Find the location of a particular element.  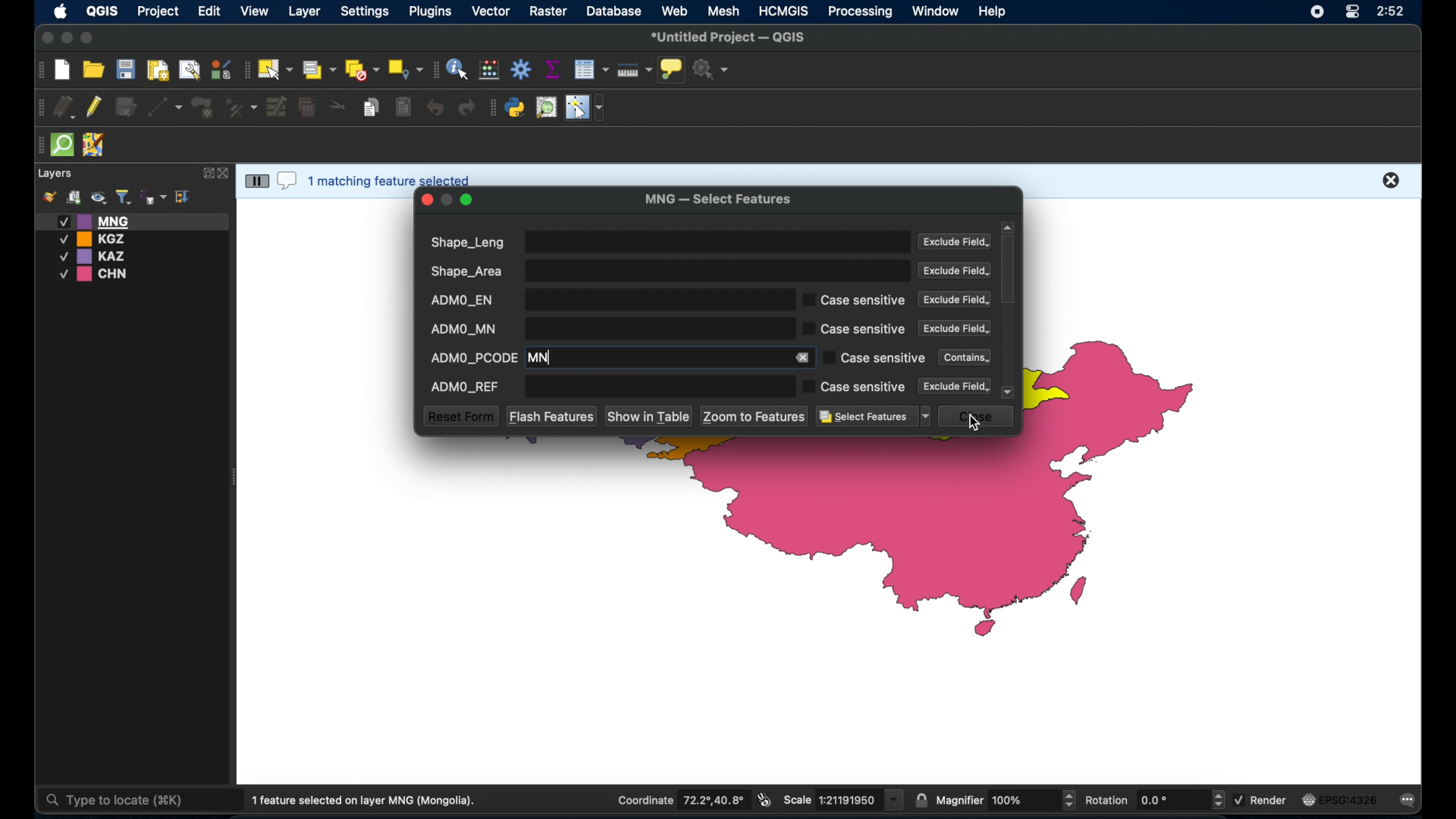

lock scale is located at coordinates (921, 801).